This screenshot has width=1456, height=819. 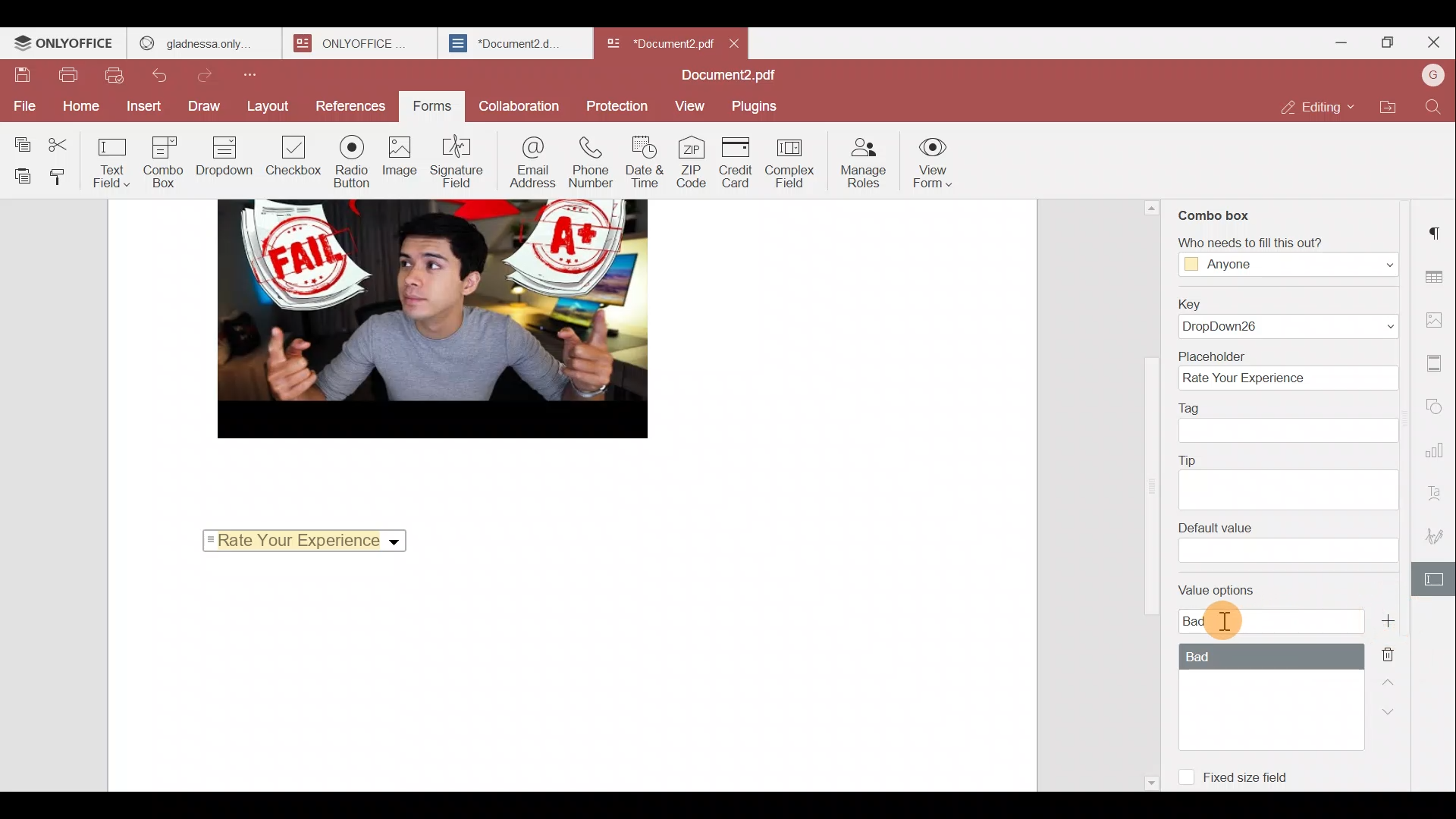 What do you see at coordinates (164, 75) in the screenshot?
I see `Undo` at bounding box center [164, 75].